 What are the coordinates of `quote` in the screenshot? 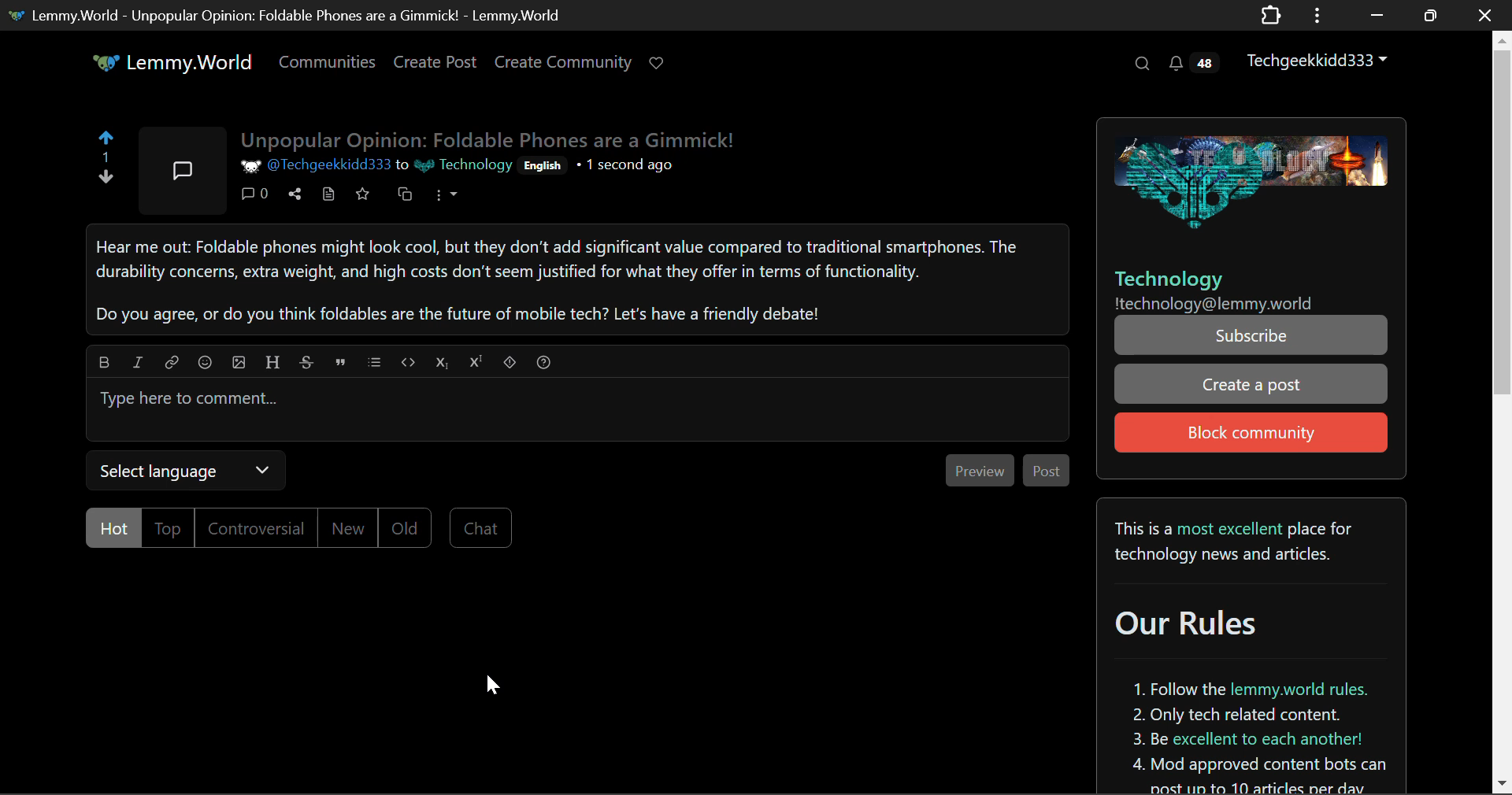 It's located at (339, 361).